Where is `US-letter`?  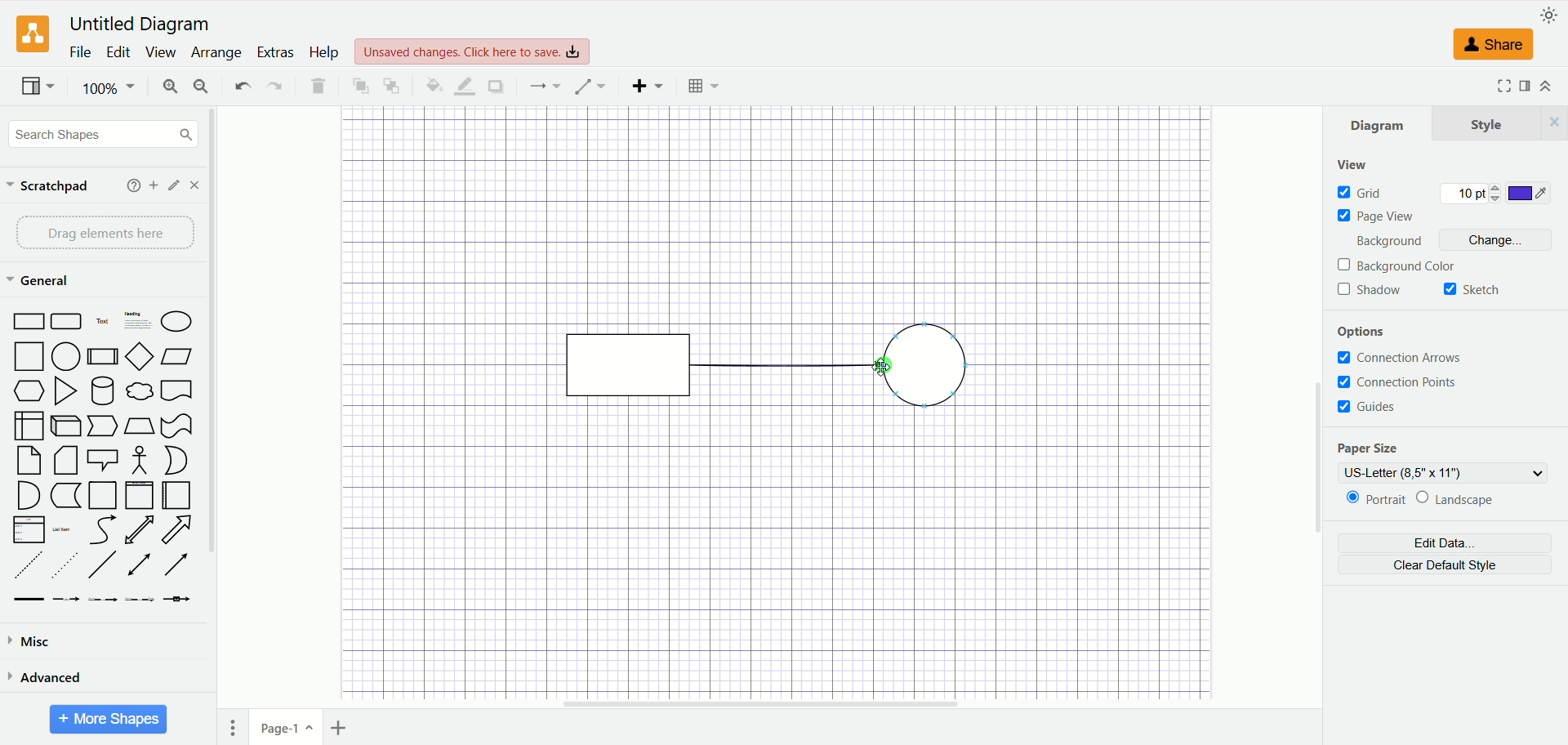 US-letter is located at coordinates (1445, 473).